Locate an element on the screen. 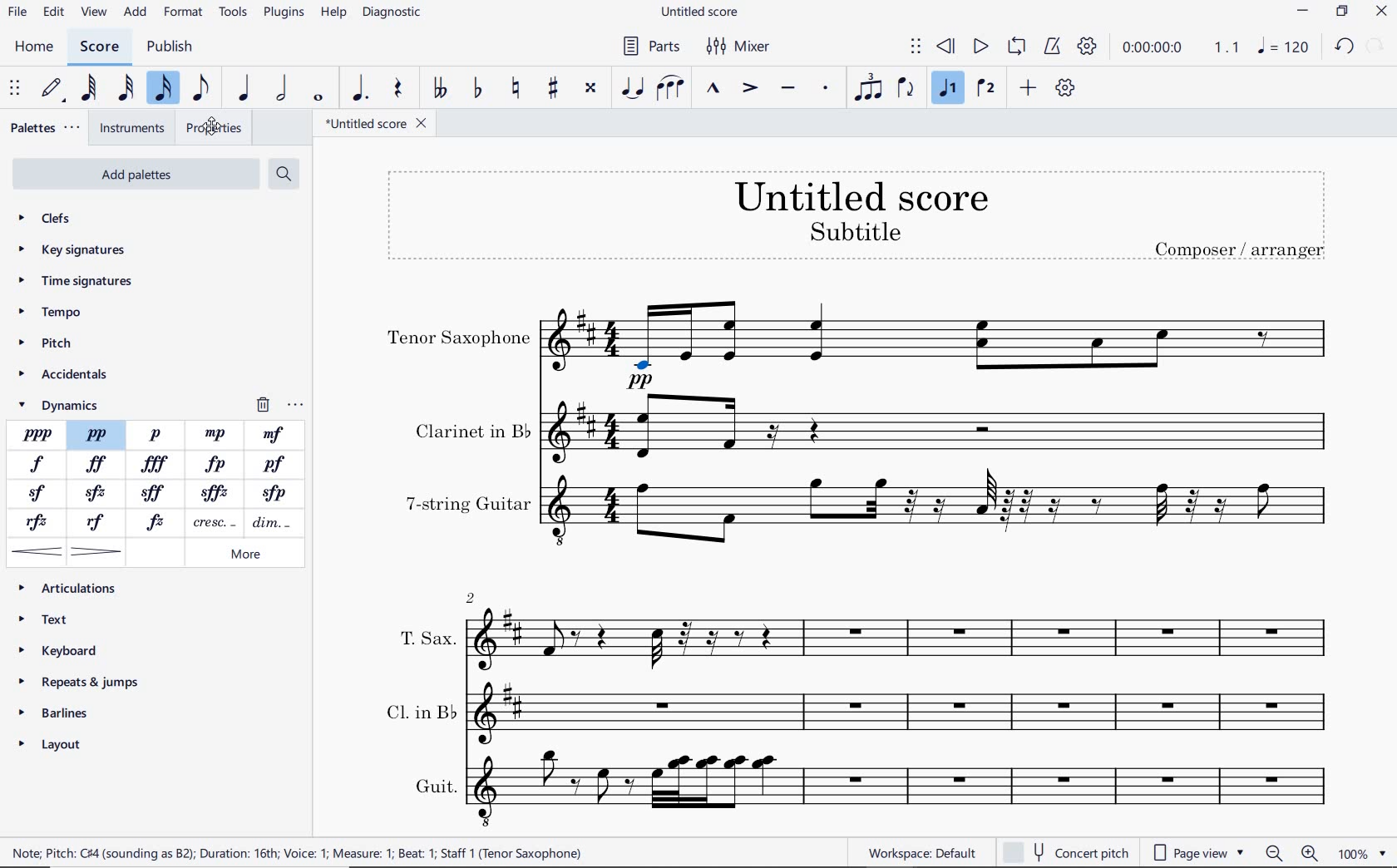 The image size is (1397, 868). QUARTER NOTE is located at coordinates (245, 88).